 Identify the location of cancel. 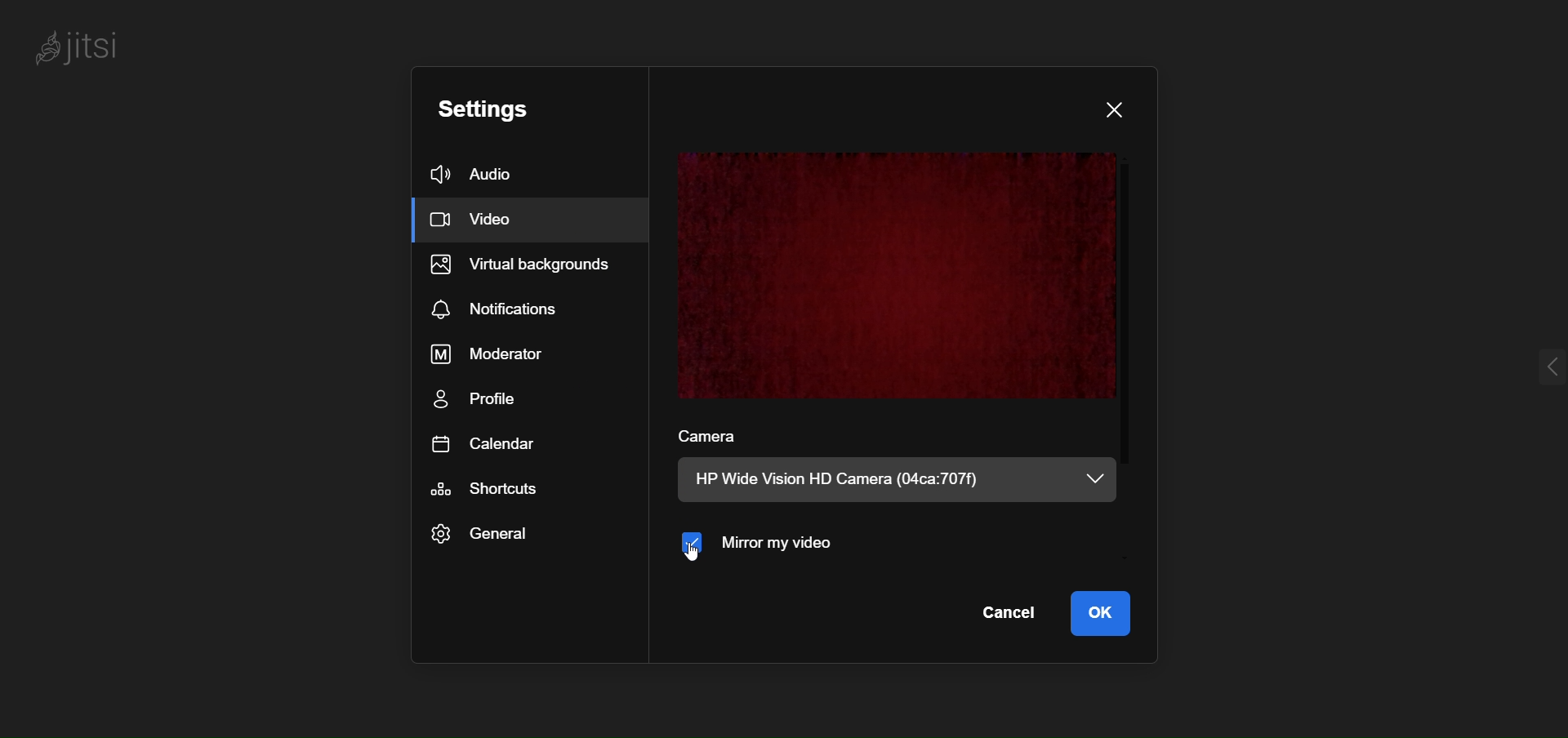
(1004, 614).